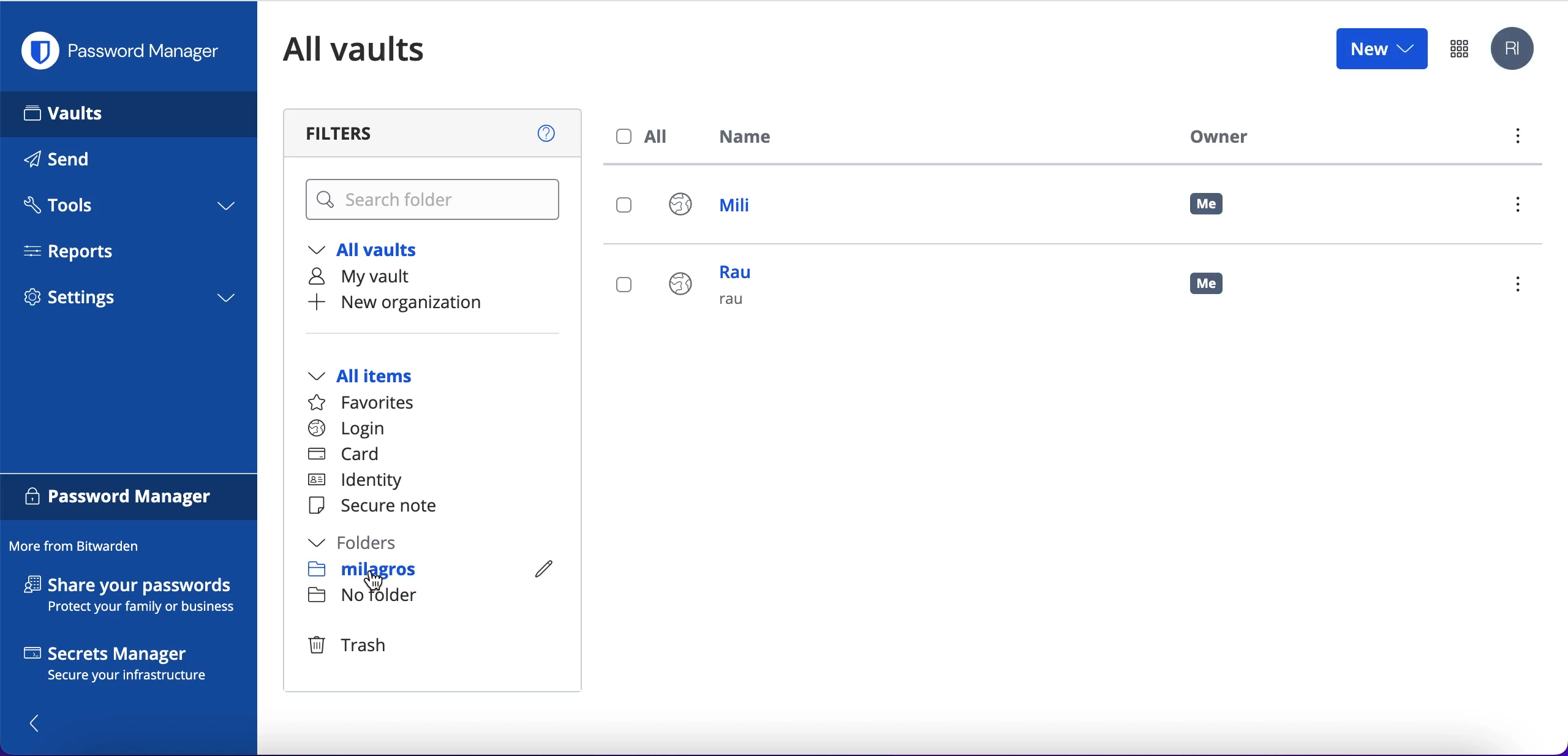 This screenshot has width=1568, height=756. I want to click on no folder, so click(367, 595).